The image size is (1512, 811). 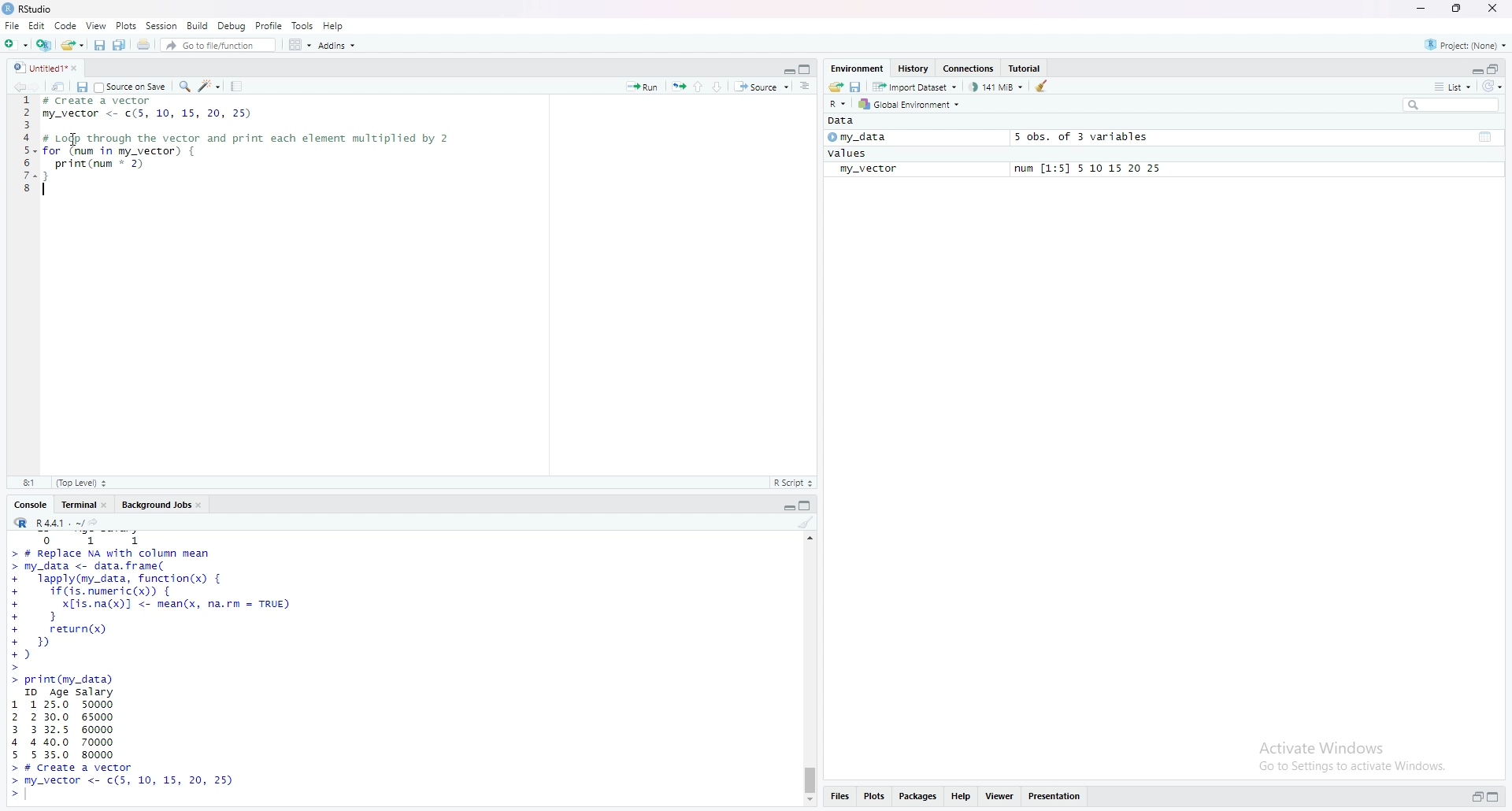 I want to click on untitled1, so click(x=48, y=68).